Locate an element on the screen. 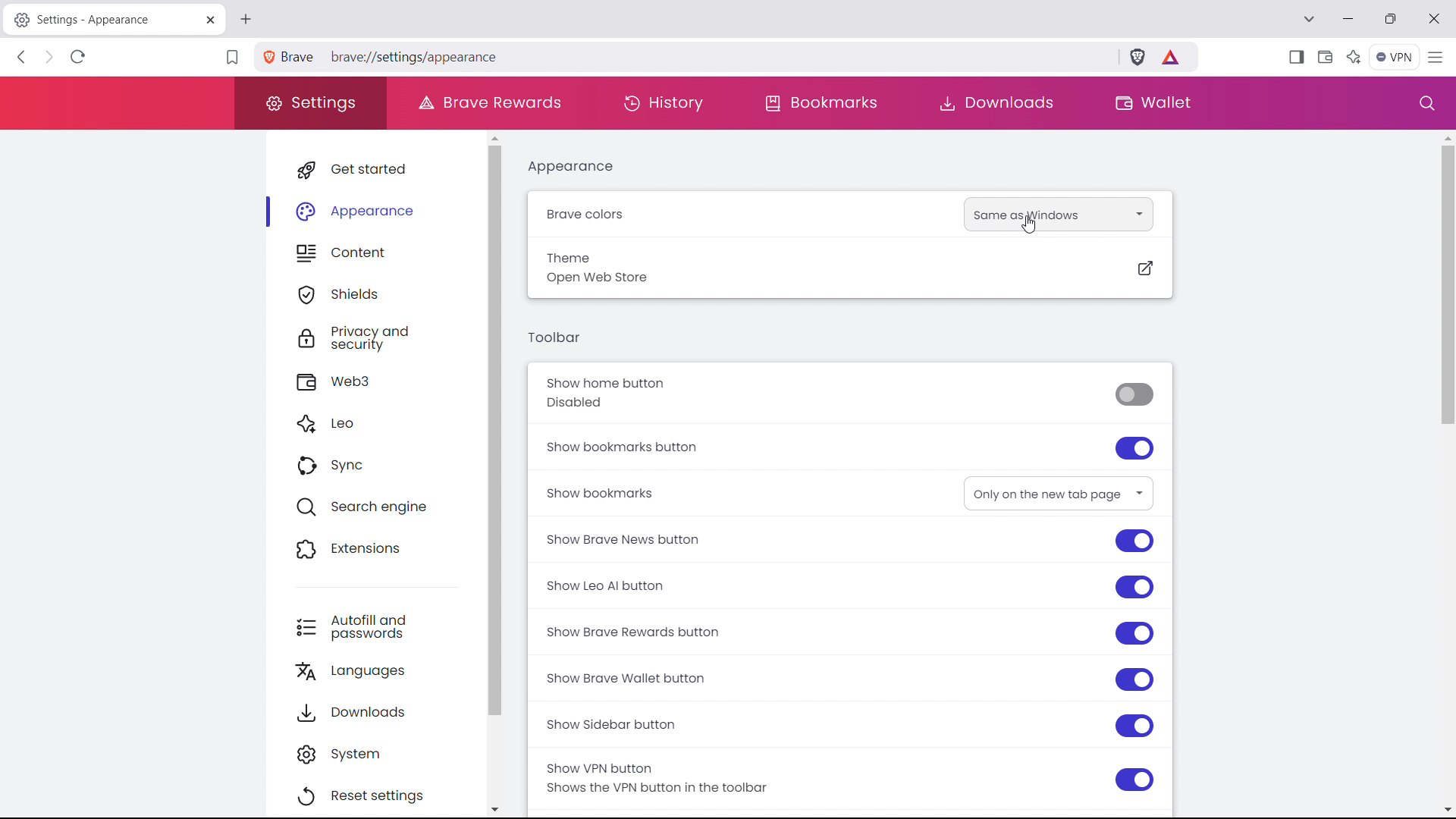 Image resolution: width=1456 pixels, height=819 pixels. wallet is located at coordinates (1326, 56).